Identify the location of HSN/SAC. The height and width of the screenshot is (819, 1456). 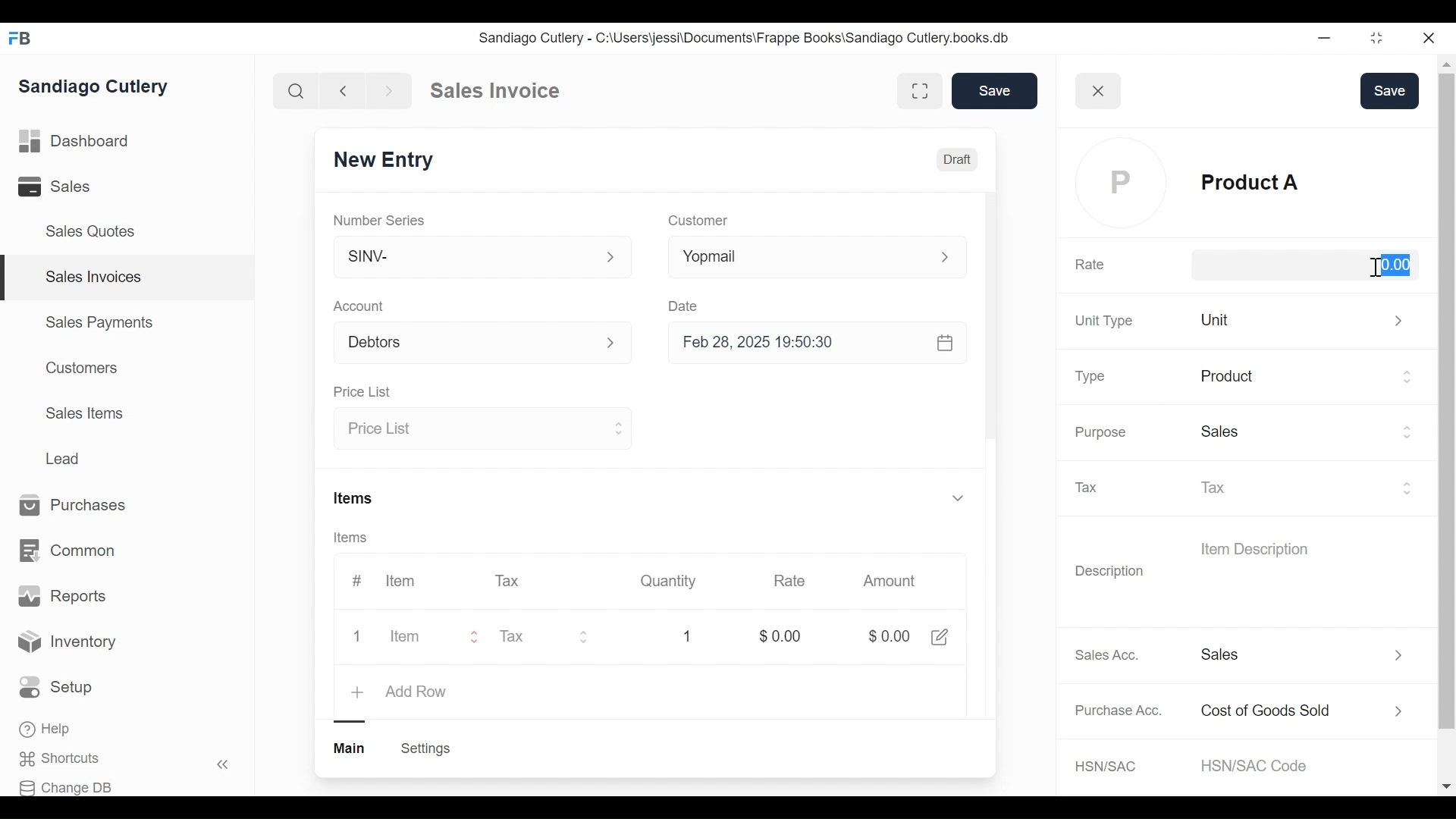
(1108, 767).